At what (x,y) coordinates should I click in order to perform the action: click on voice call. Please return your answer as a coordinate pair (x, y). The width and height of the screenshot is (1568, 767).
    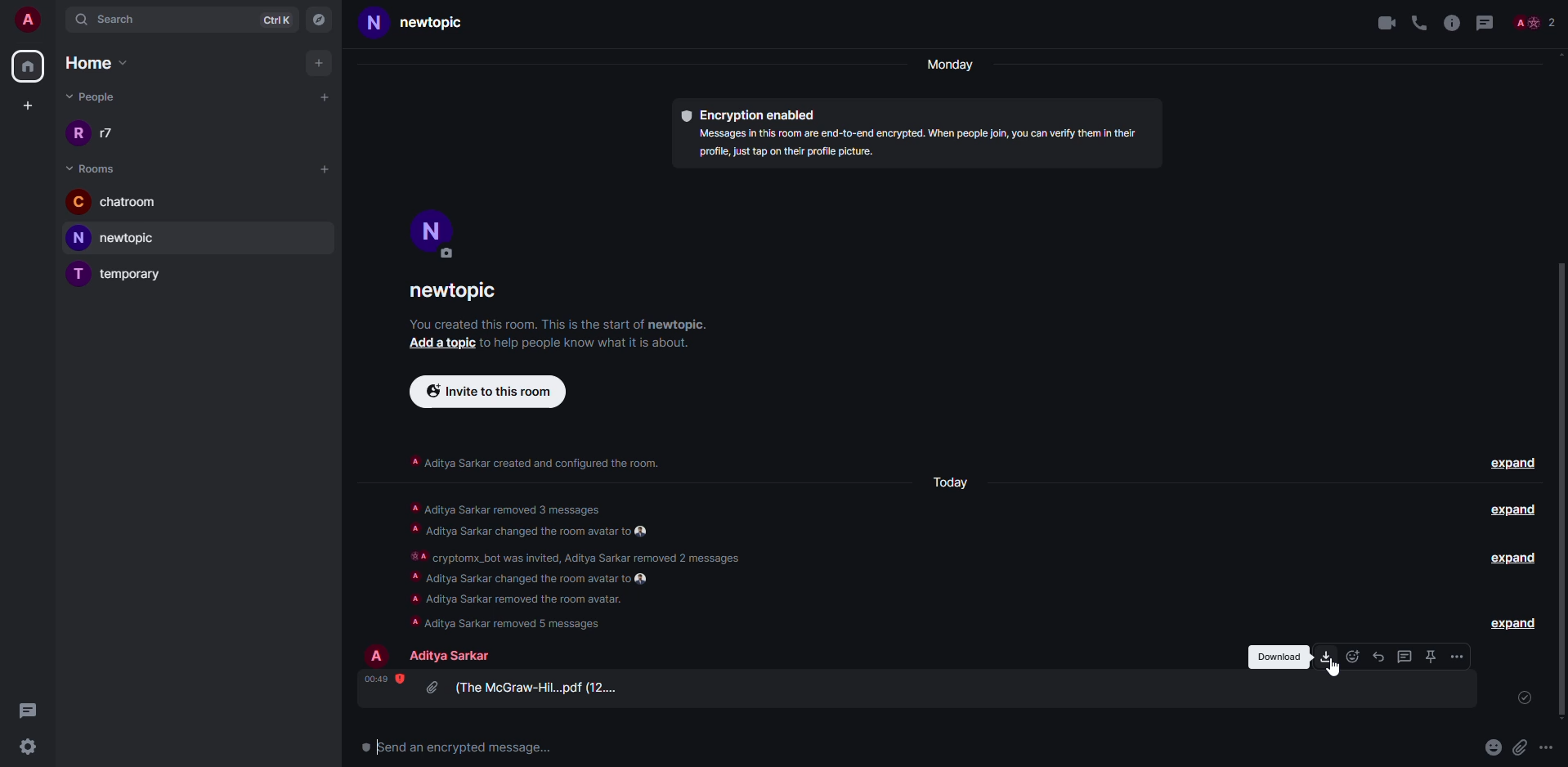
    Looking at the image, I should click on (1419, 22).